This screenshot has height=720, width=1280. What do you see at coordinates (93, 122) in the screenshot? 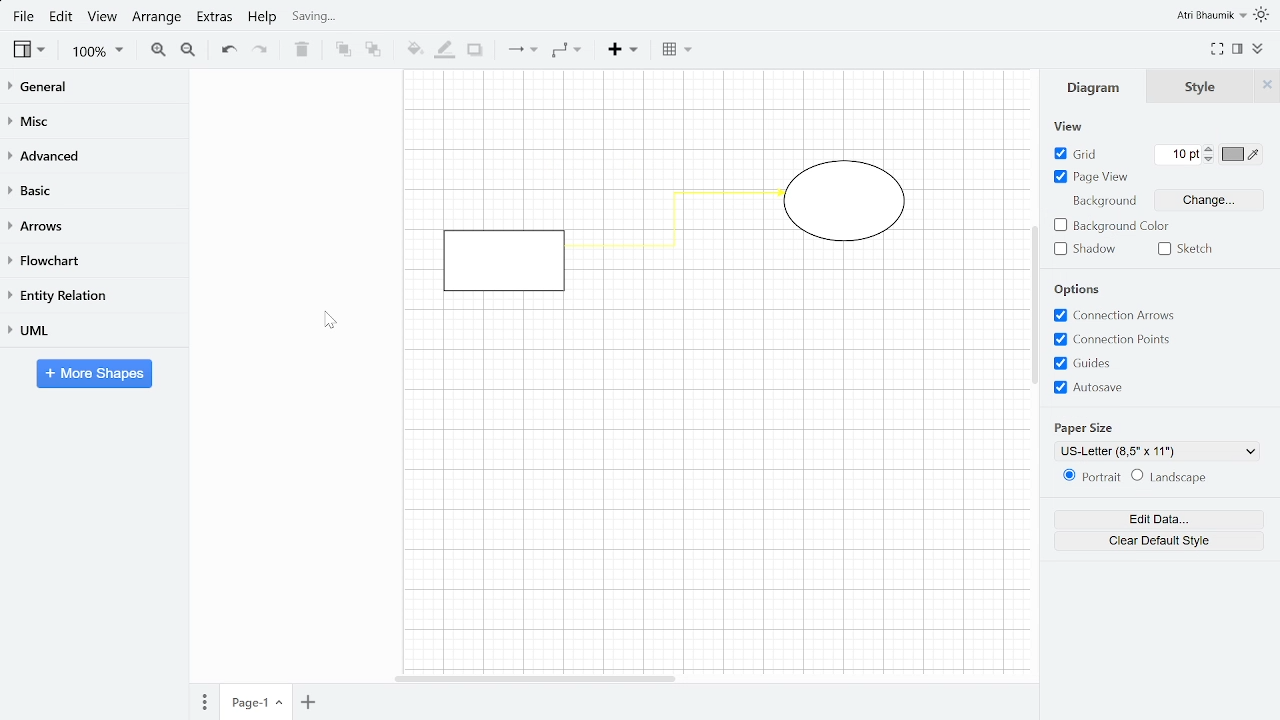
I see `Misc` at bounding box center [93, 122].